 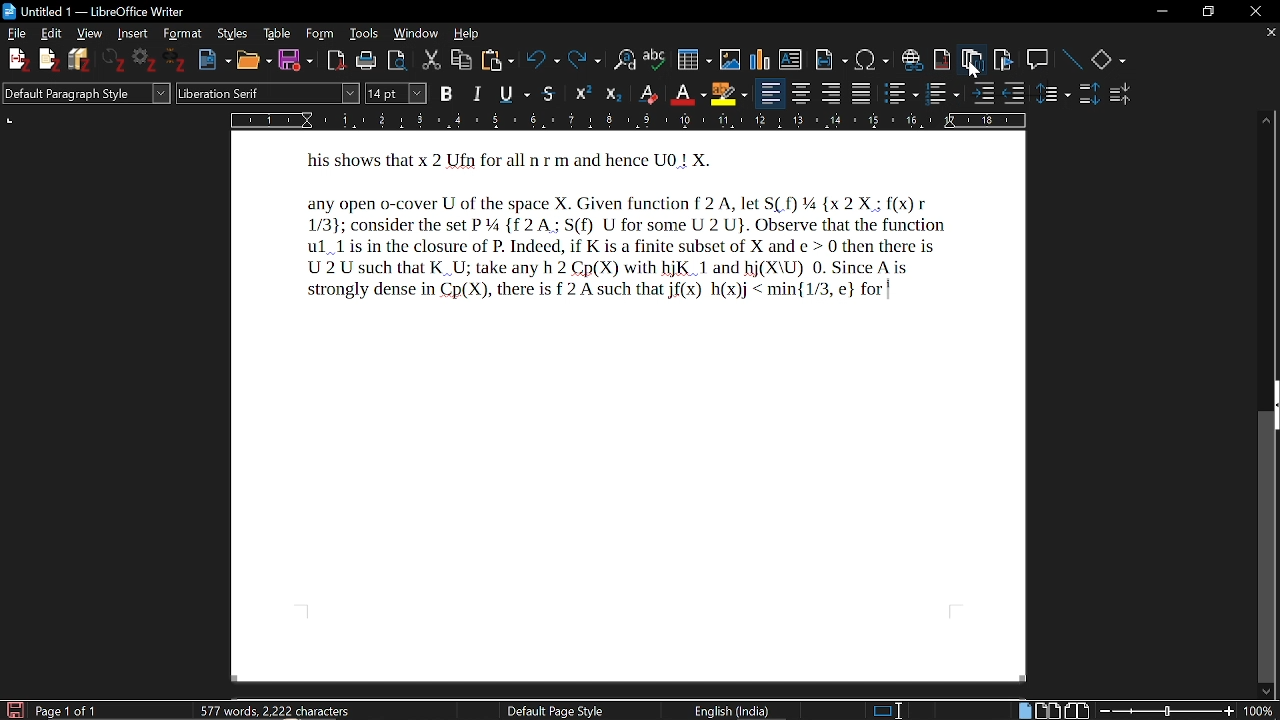 I want to click on Format, so click(x=182, y=33).